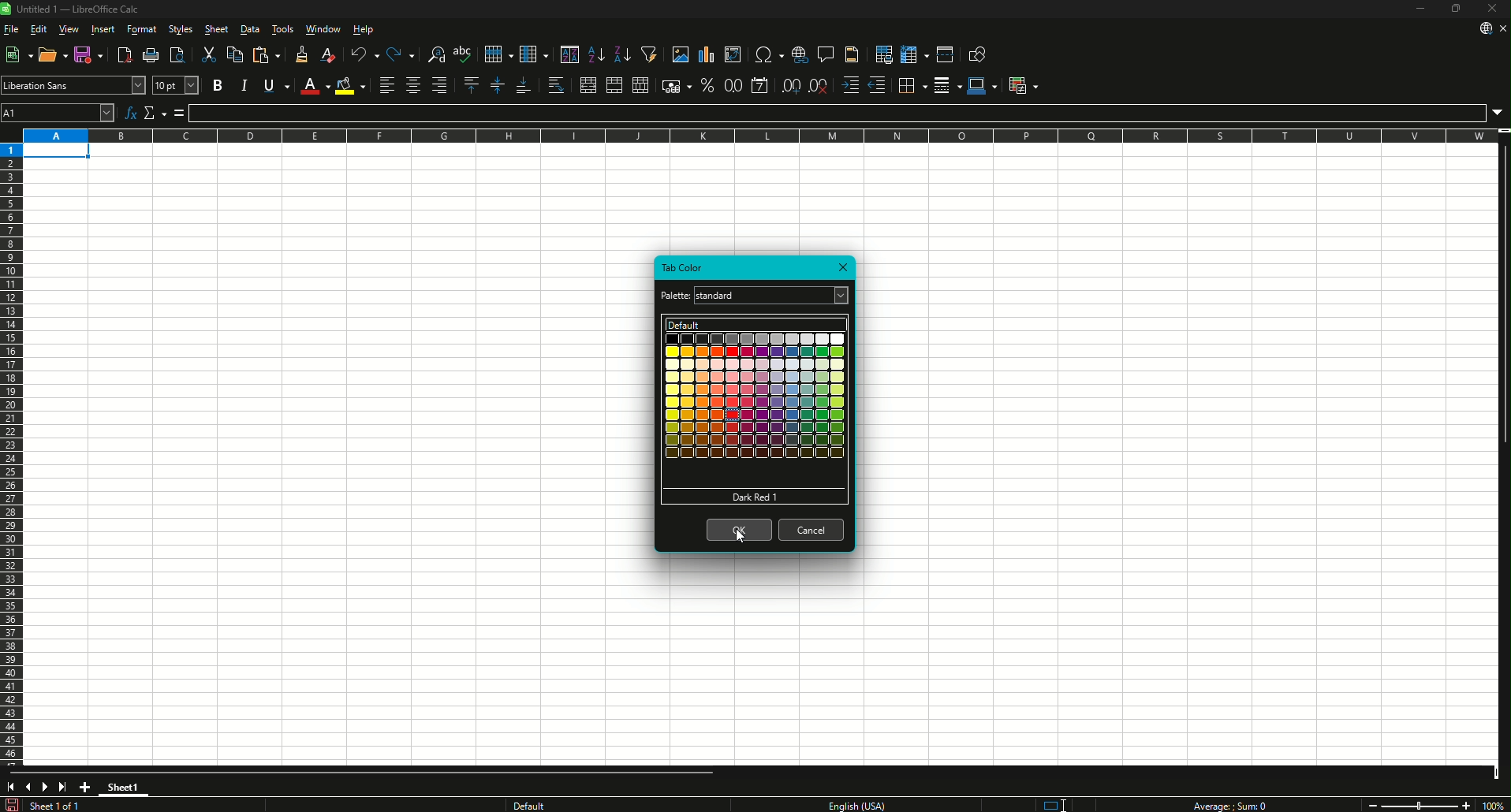 Image resolution: width=1511 pixels, height=812 pixels. Describe the element at coordinates (851, 85) in the screenshot. I see `Increase Indent` at that location.